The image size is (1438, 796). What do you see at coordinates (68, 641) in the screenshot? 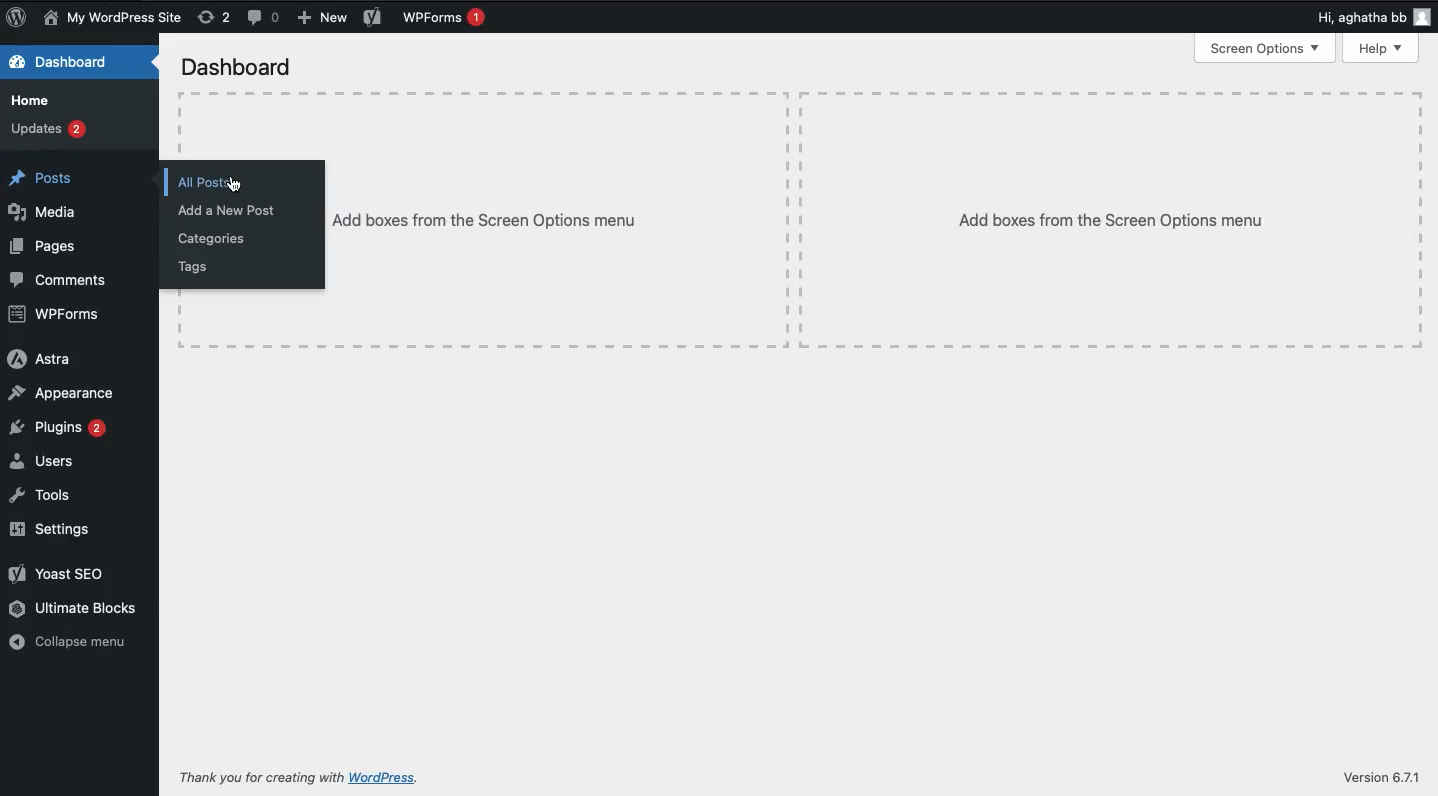
I see `Collapse menu` at bounding box center [68, 641].